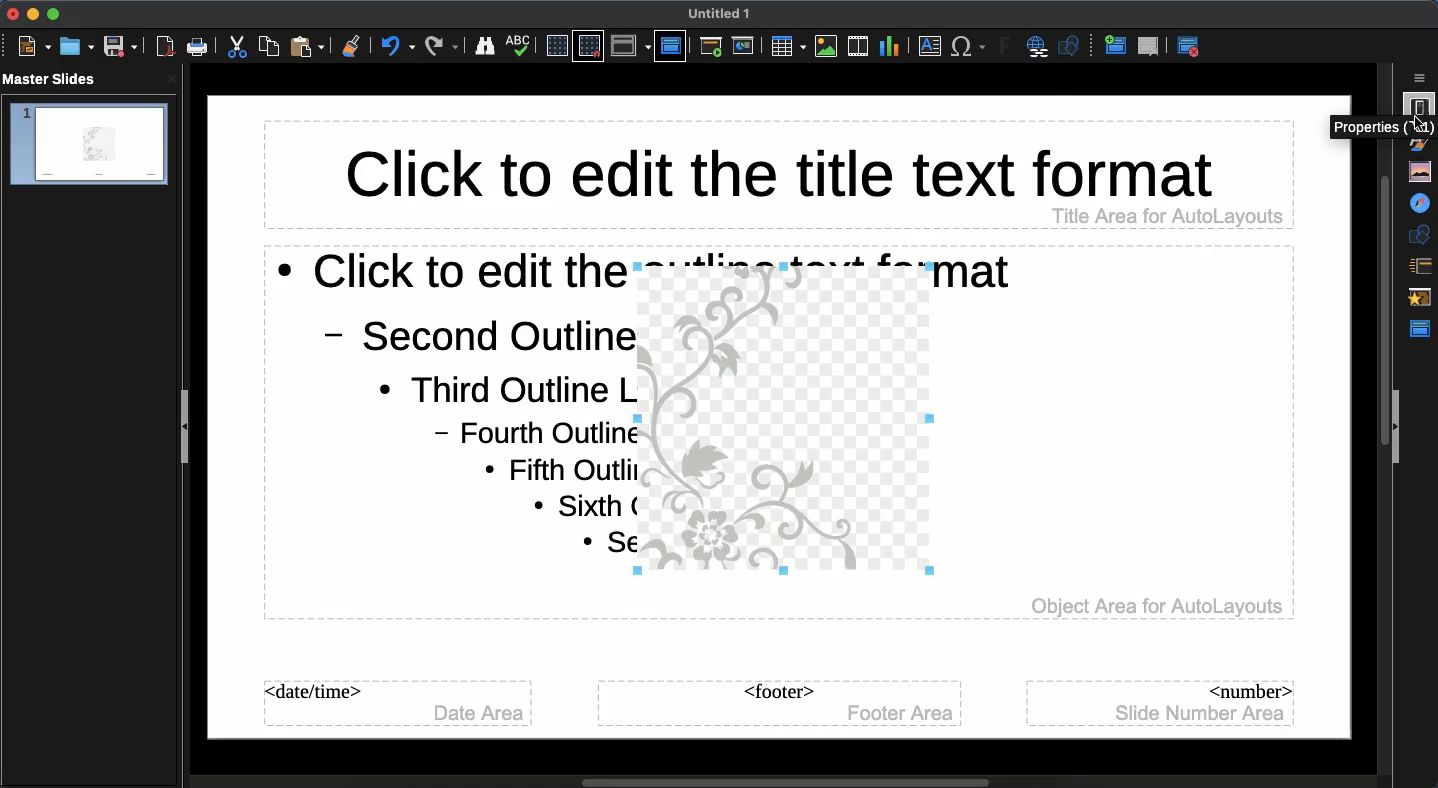 The width and height of the screenshot is (1438, 788). What do you see at coordinates (927, 47) in the screenshot?
I see `Textbox` at bounding box center [927, 47].